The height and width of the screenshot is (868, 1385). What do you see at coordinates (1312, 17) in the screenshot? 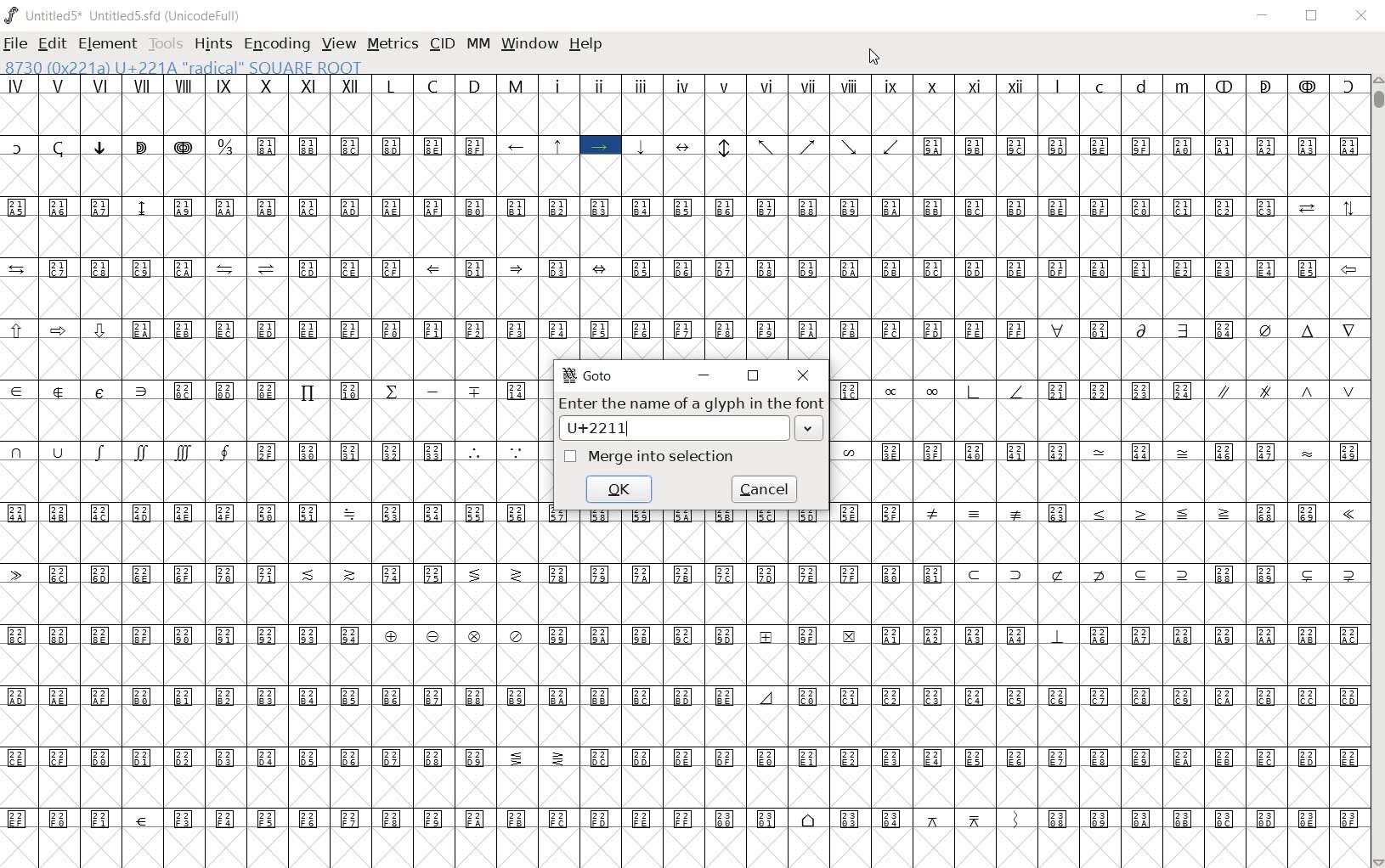
I see `RESTORE DWON` at bounding box center [1312, 17].